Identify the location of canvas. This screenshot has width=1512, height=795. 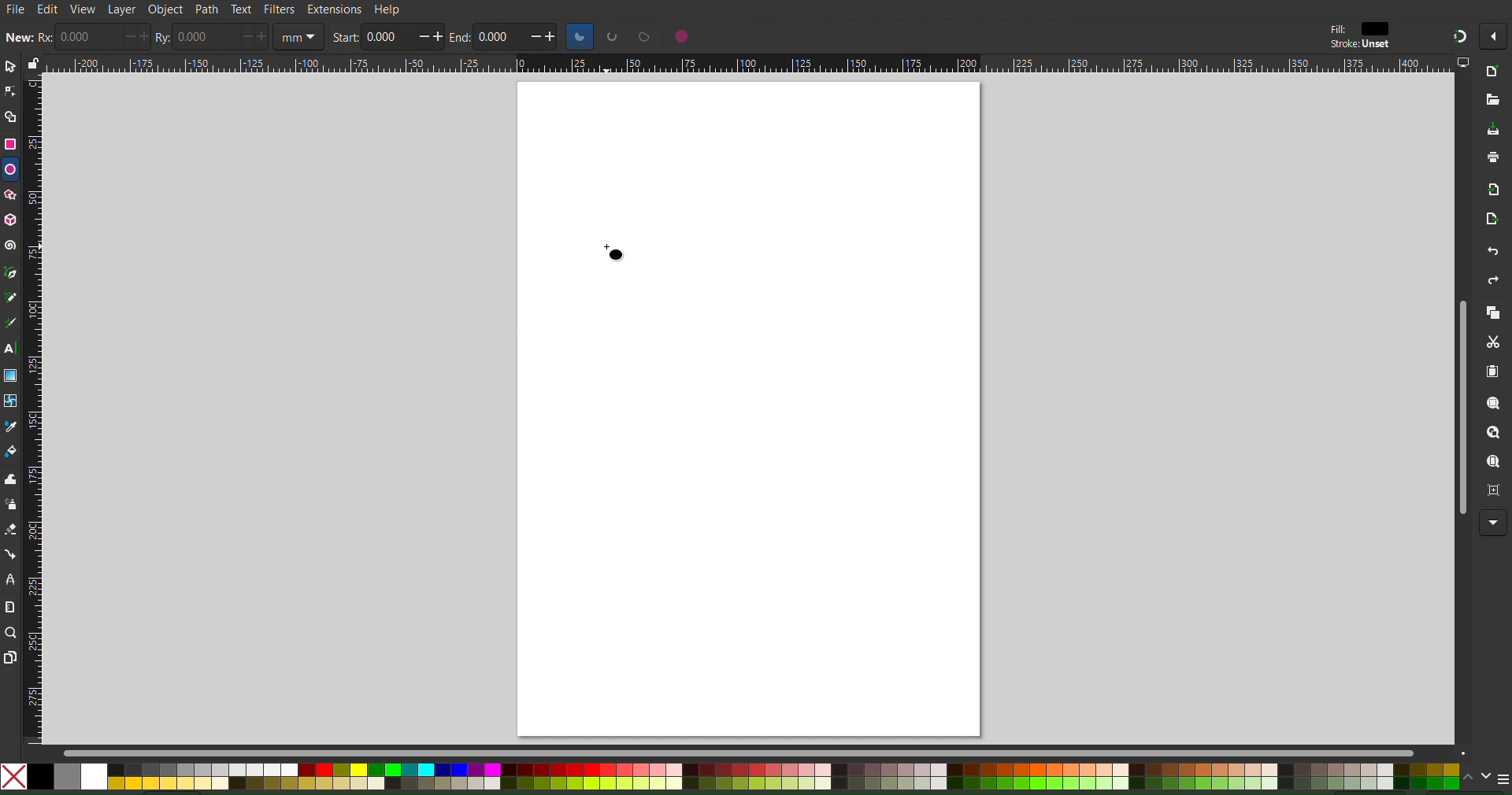
(748, 409).